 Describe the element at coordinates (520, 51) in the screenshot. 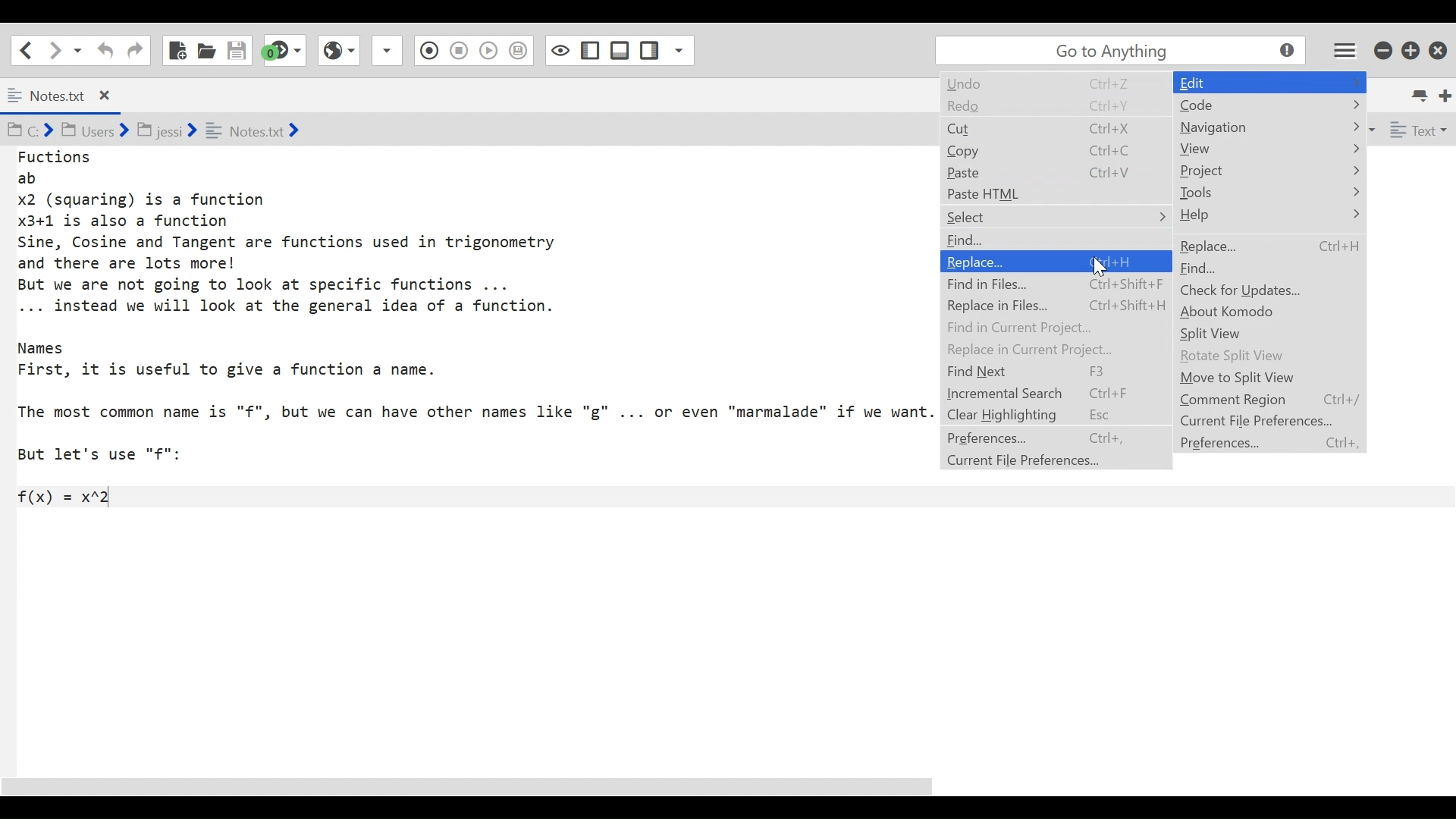

I see `Toggle Focus mode` at that location.